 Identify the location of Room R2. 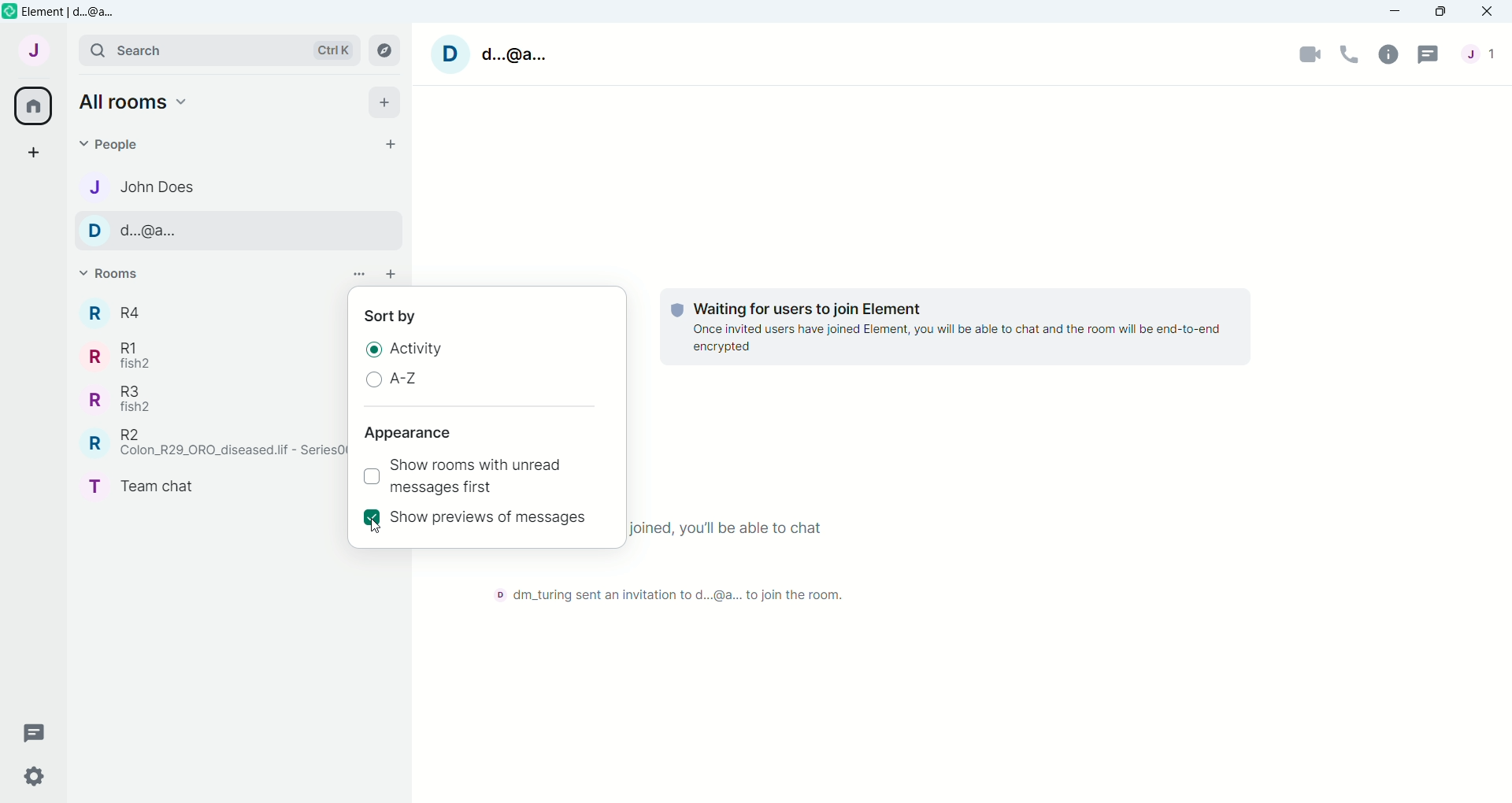
(207, 444).